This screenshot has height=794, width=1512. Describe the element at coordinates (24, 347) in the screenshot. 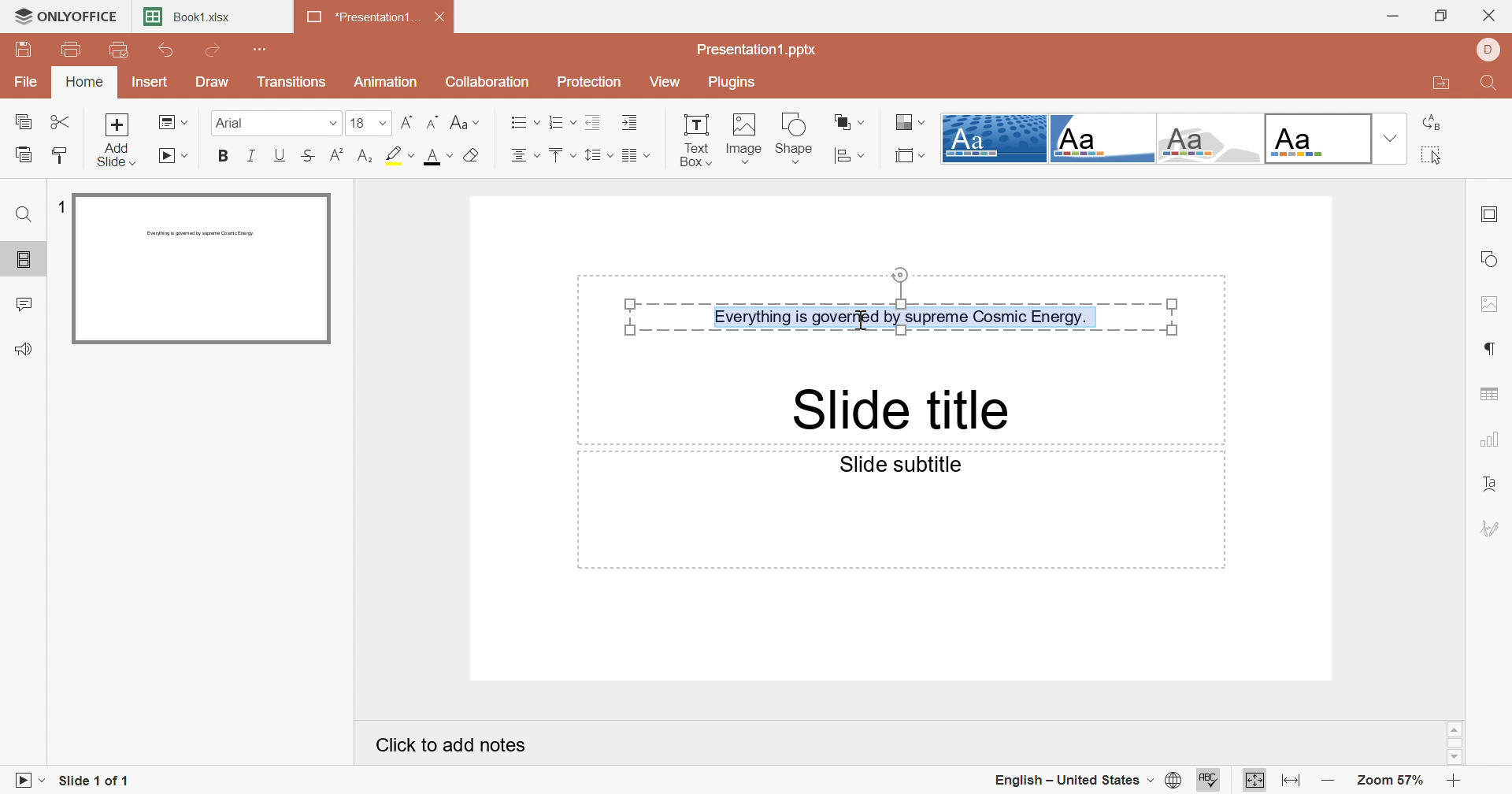

I see `Feedback & Support` at that location.